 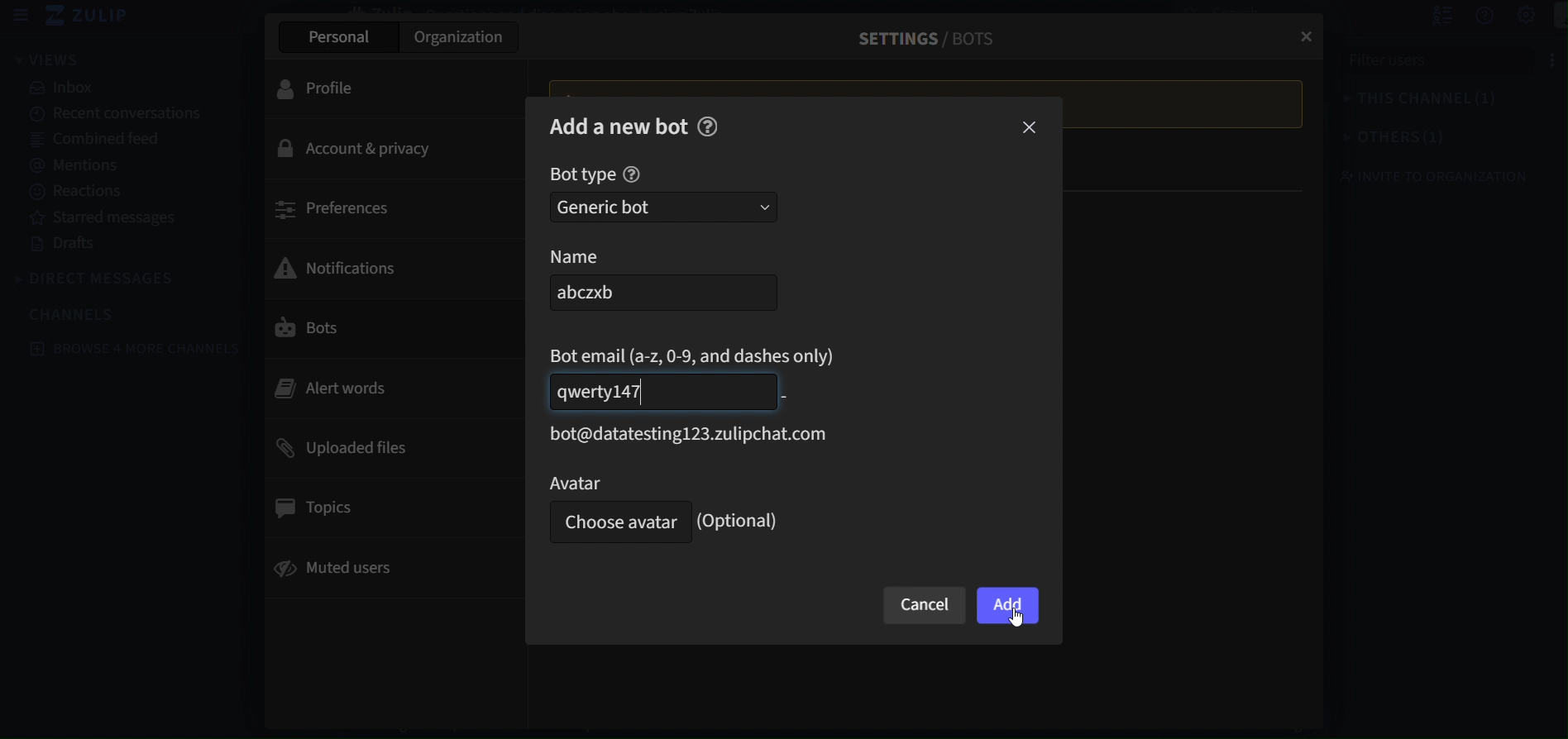 I want to click on filter users, so click(x=1432, y=65).